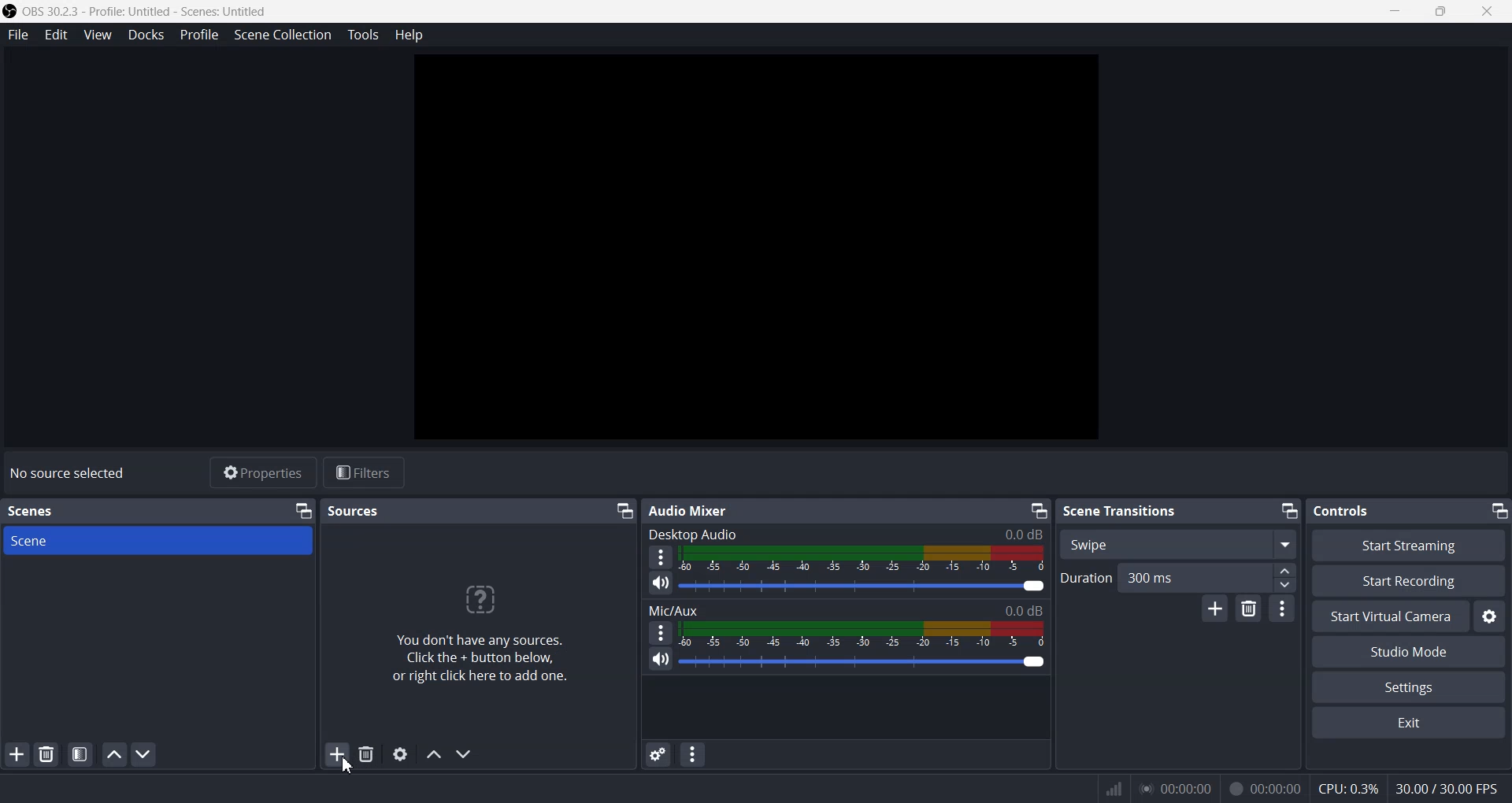  What do you see at coordinates (364, 35) in the screenshot?
I see `Tools` at bounding box center [364, 35].